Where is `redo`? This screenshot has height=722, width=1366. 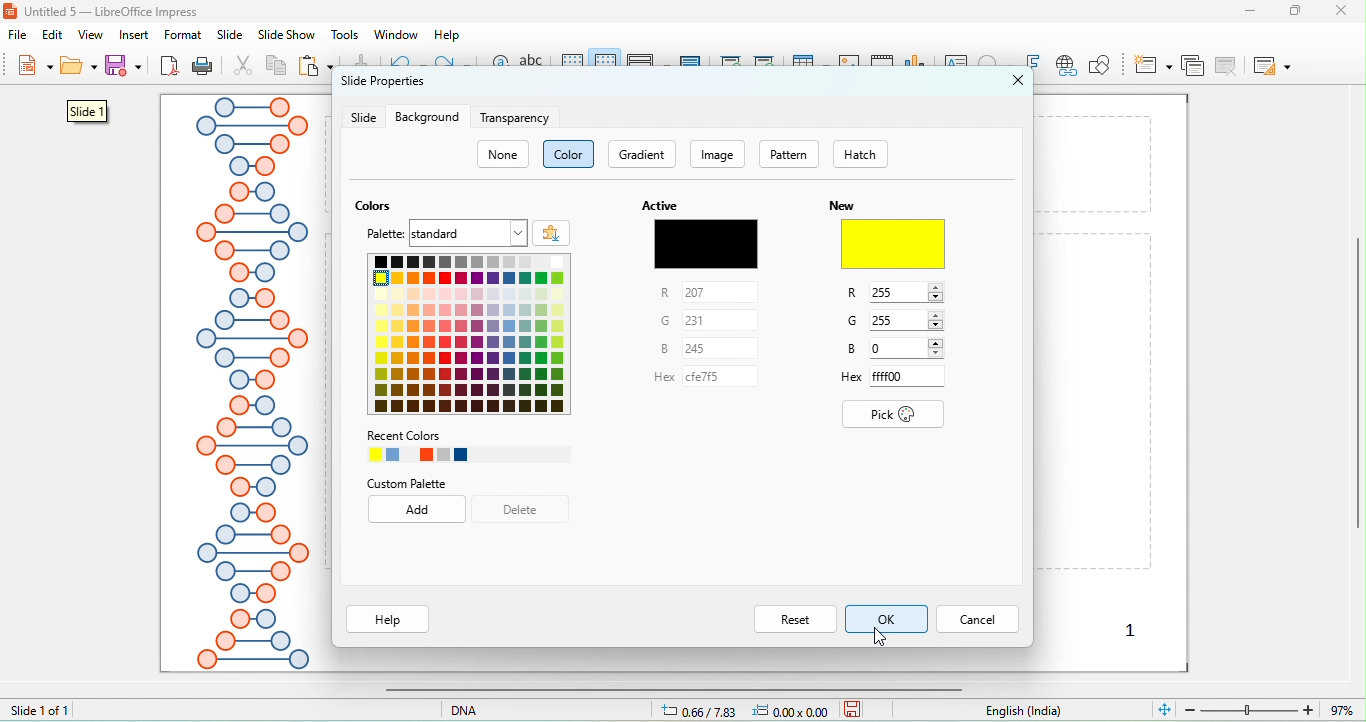 redo is located at coordinates (453, 65).